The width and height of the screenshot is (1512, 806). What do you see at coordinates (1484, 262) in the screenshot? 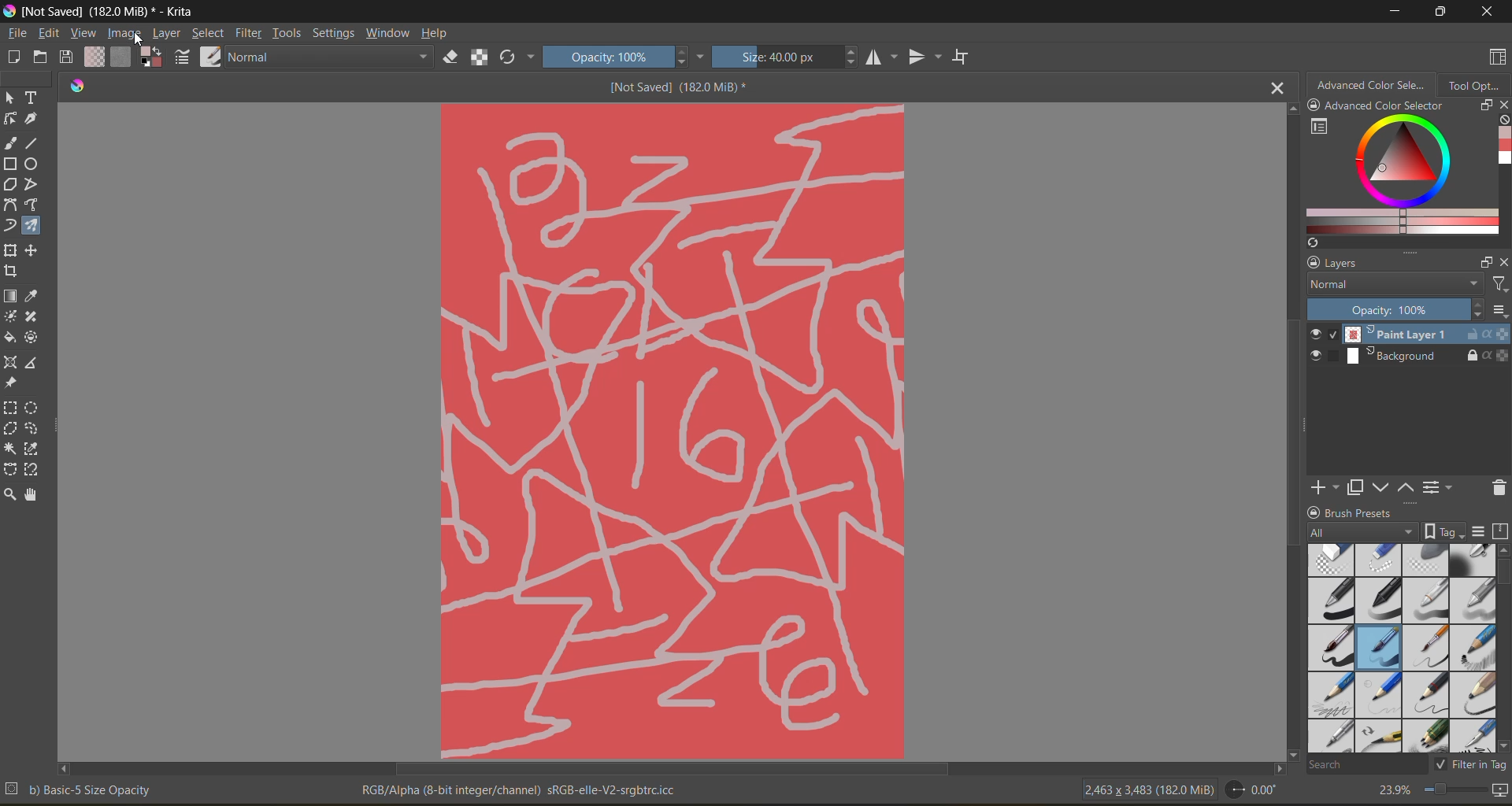
I see `float docker` at bounding box center [1484, 262].